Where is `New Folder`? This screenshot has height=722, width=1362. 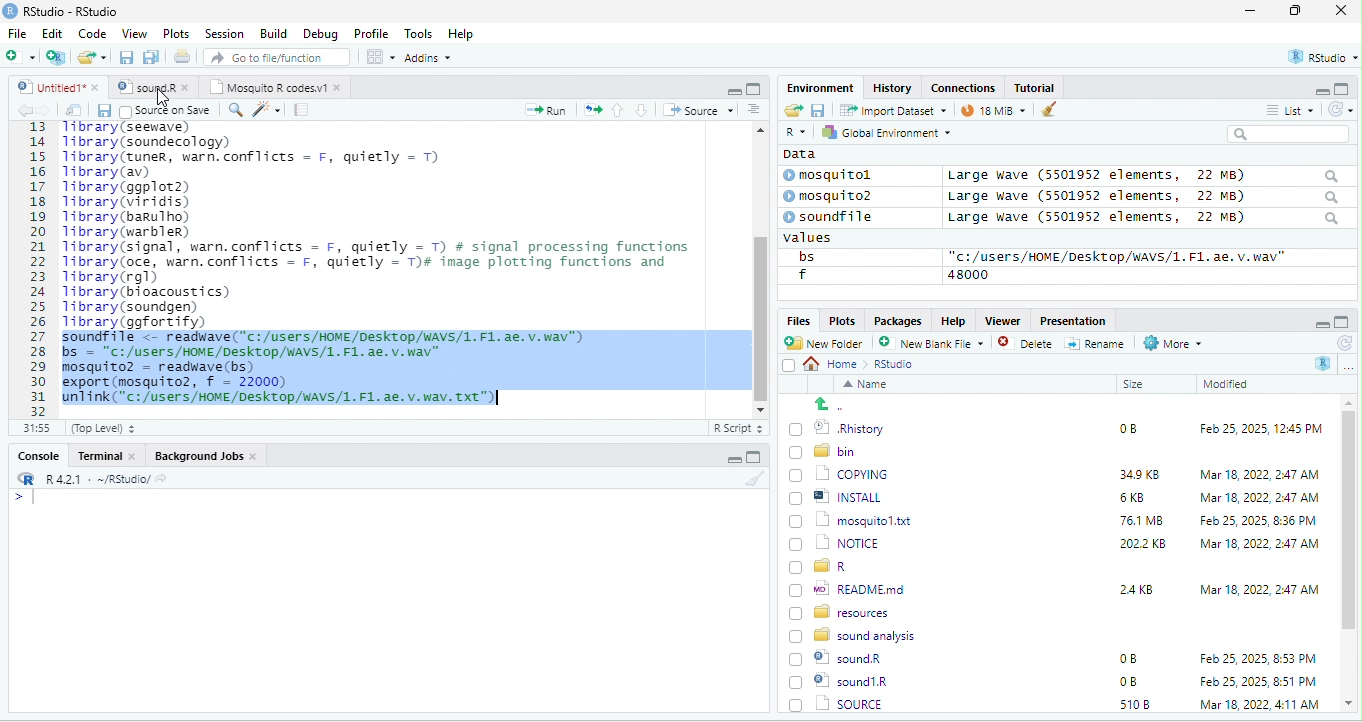
New Folder is located at coordinates (828, 343).